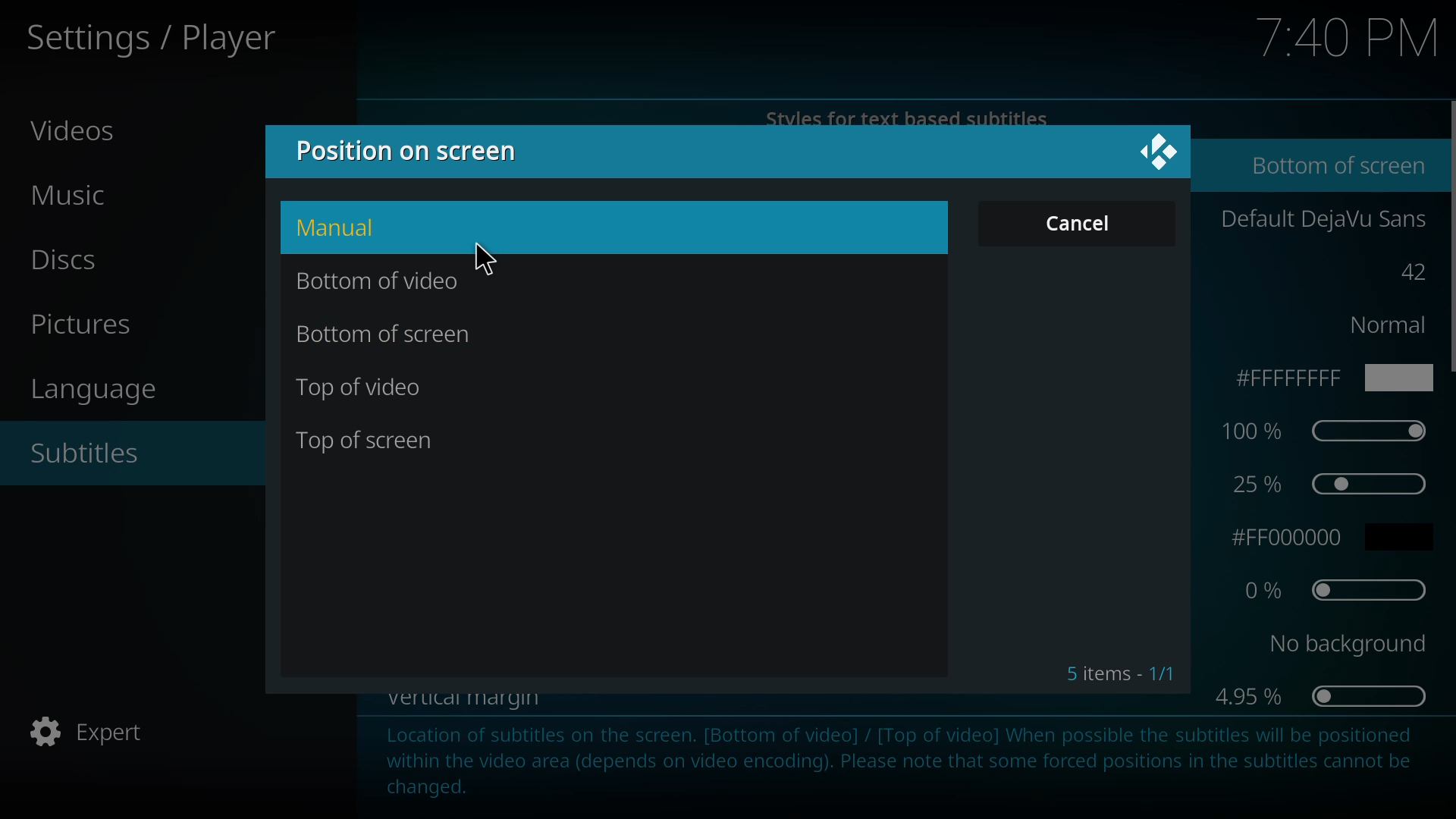  I want to click on cancel, so click(1089, 224).